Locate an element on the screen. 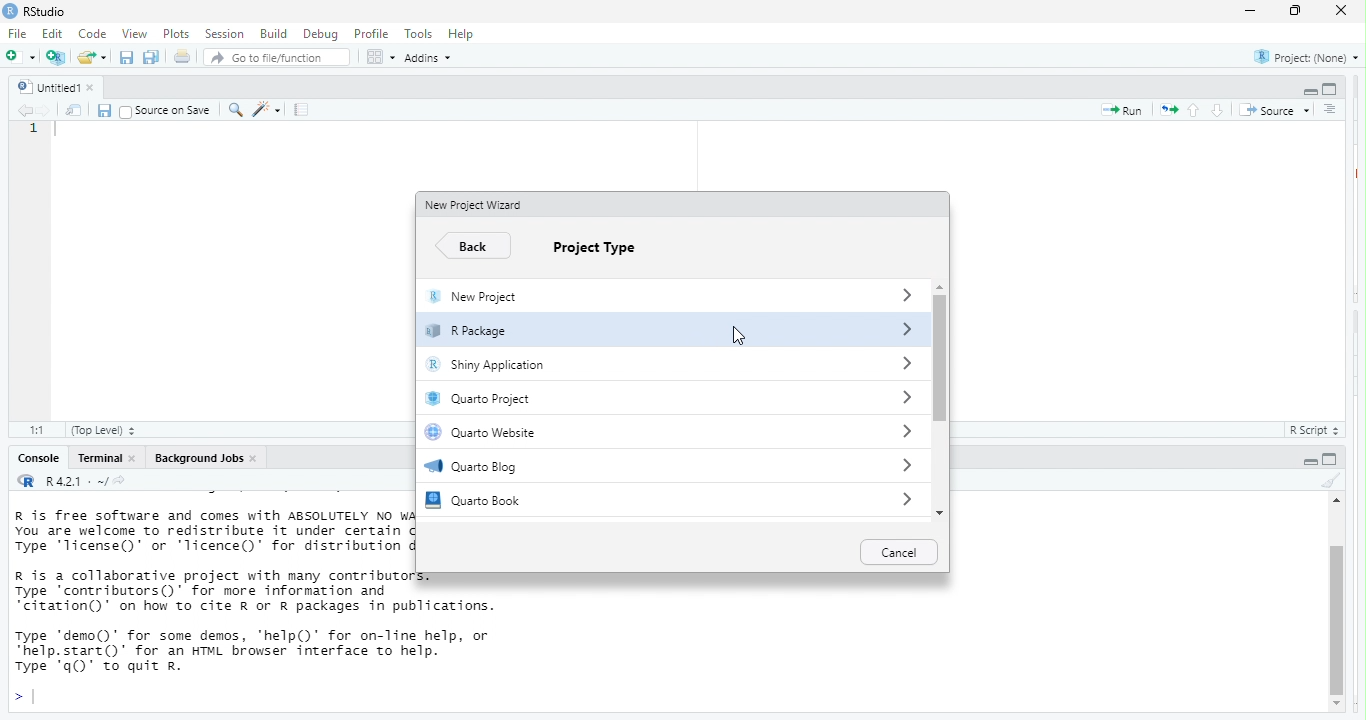 The width and height of the screenshot is (1366, 720). R Shiny Application is located at coordinates (630, 369).